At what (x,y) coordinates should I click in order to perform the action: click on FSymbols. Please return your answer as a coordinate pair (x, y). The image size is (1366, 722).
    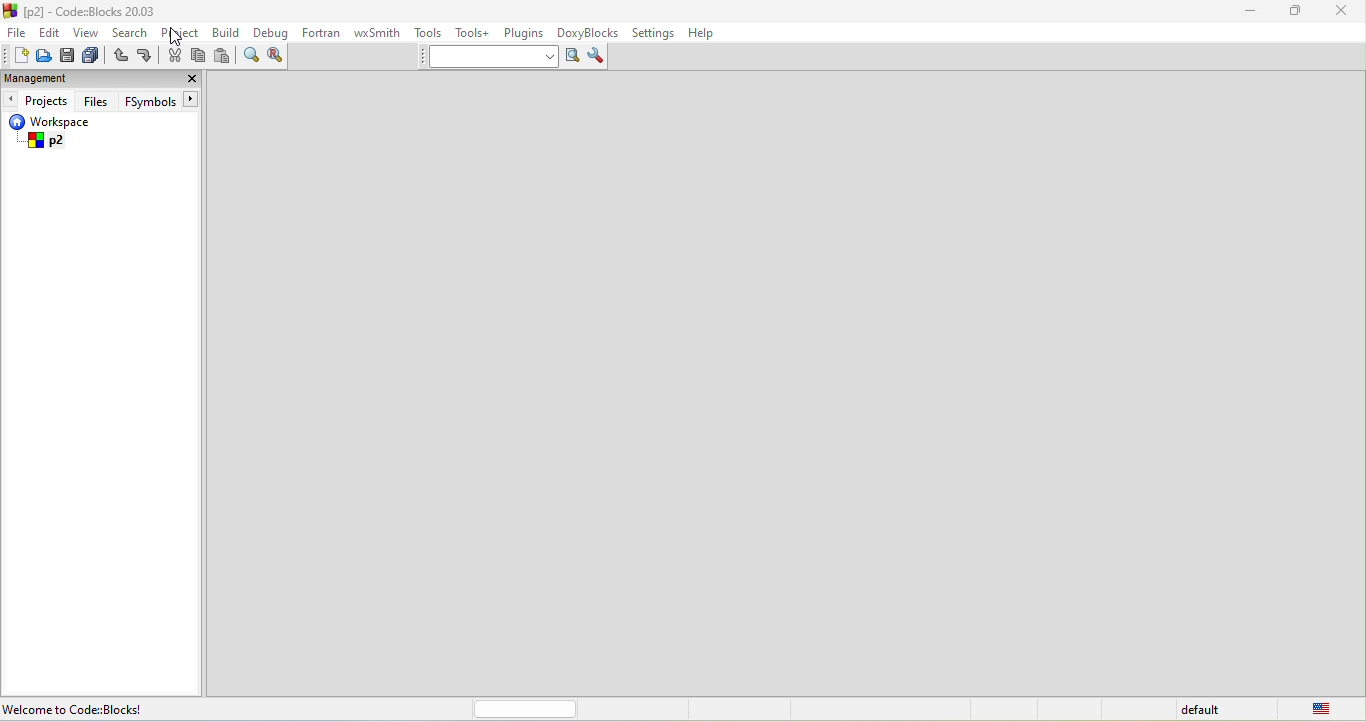
    Looking at the image, I should click on (163, 101).